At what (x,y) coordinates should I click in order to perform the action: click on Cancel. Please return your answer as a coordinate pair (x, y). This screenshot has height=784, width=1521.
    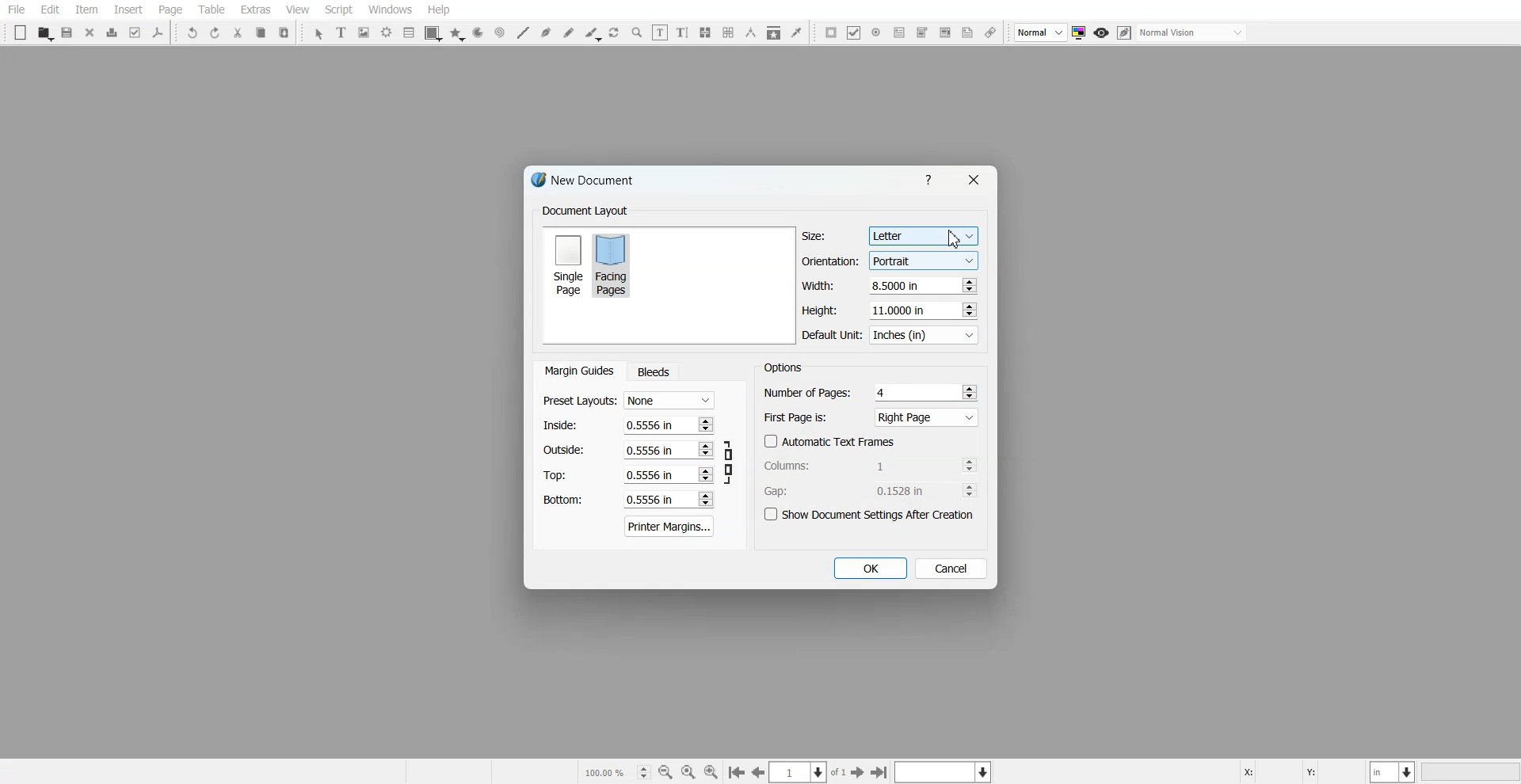
    Looking at the image, I should click on (951, 568).